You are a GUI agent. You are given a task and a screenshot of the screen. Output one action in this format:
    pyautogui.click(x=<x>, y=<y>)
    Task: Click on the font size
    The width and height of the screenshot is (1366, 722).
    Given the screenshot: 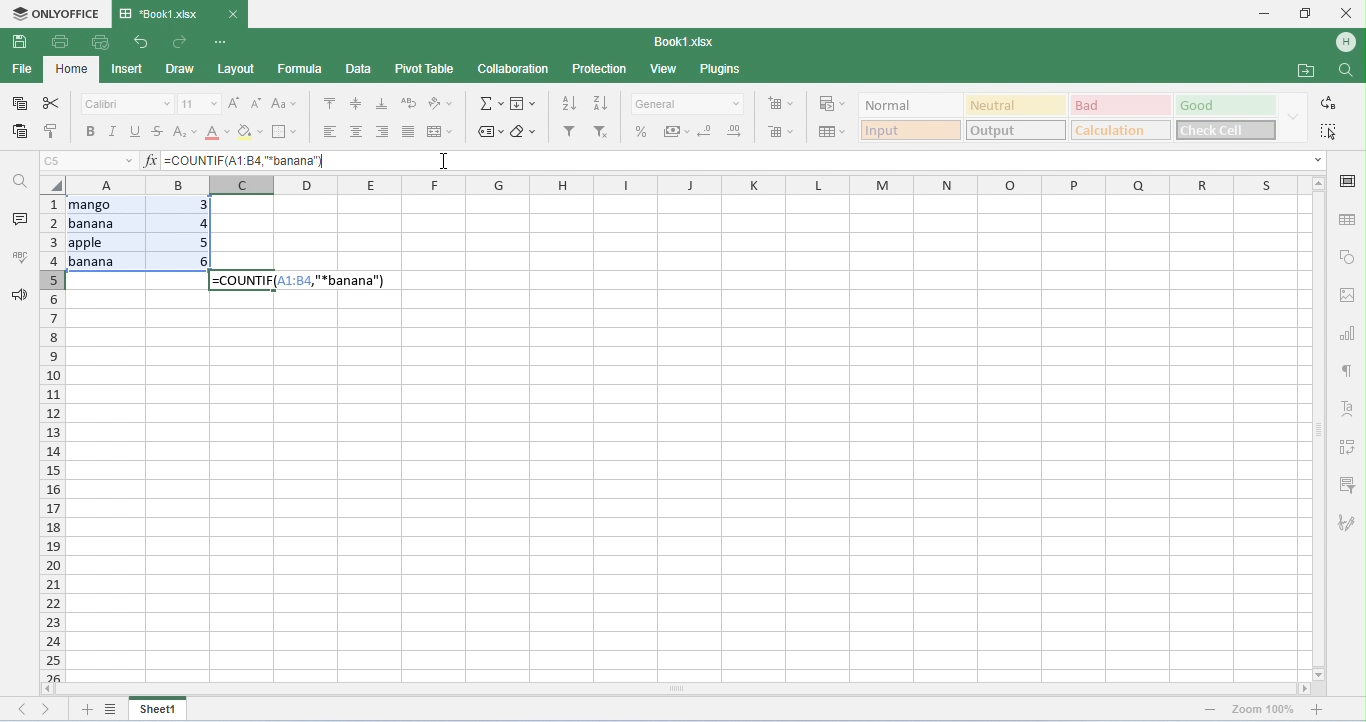 What is the action you would take?
    pyautogui.click(x=199, y=104)
    